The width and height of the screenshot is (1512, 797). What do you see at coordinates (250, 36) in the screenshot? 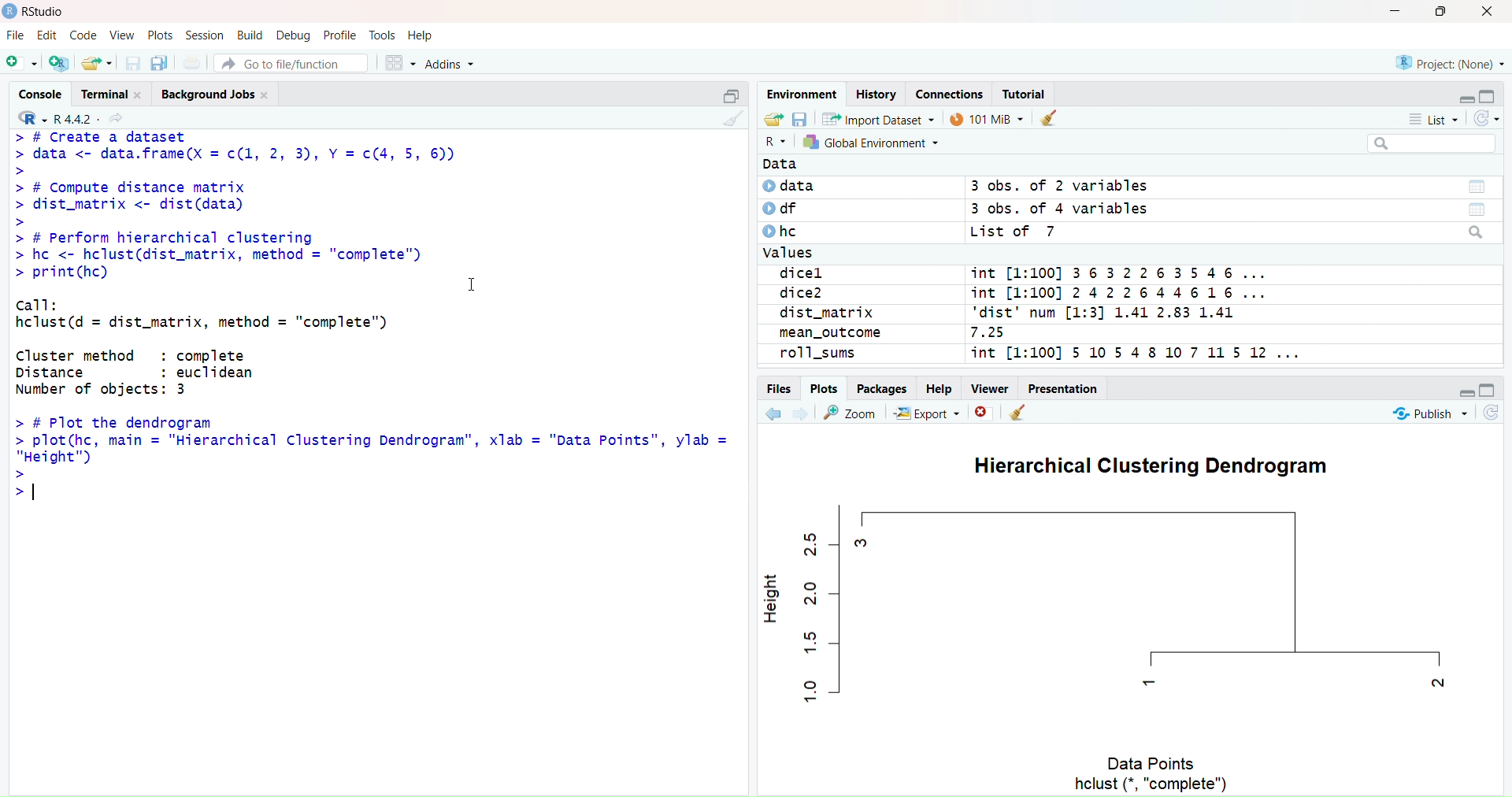
I see `Build` at bounding box center [250, 36].